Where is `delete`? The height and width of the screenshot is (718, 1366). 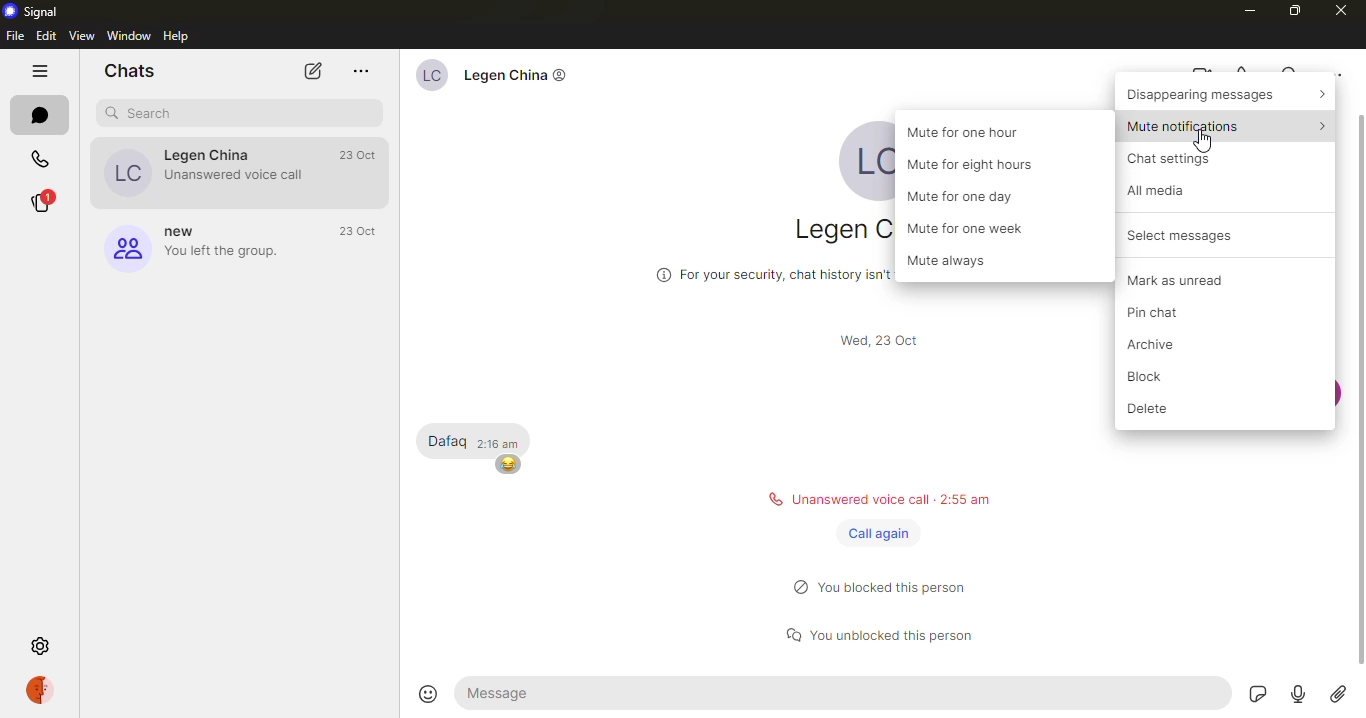 delete is located at coordinates (1162, 411).